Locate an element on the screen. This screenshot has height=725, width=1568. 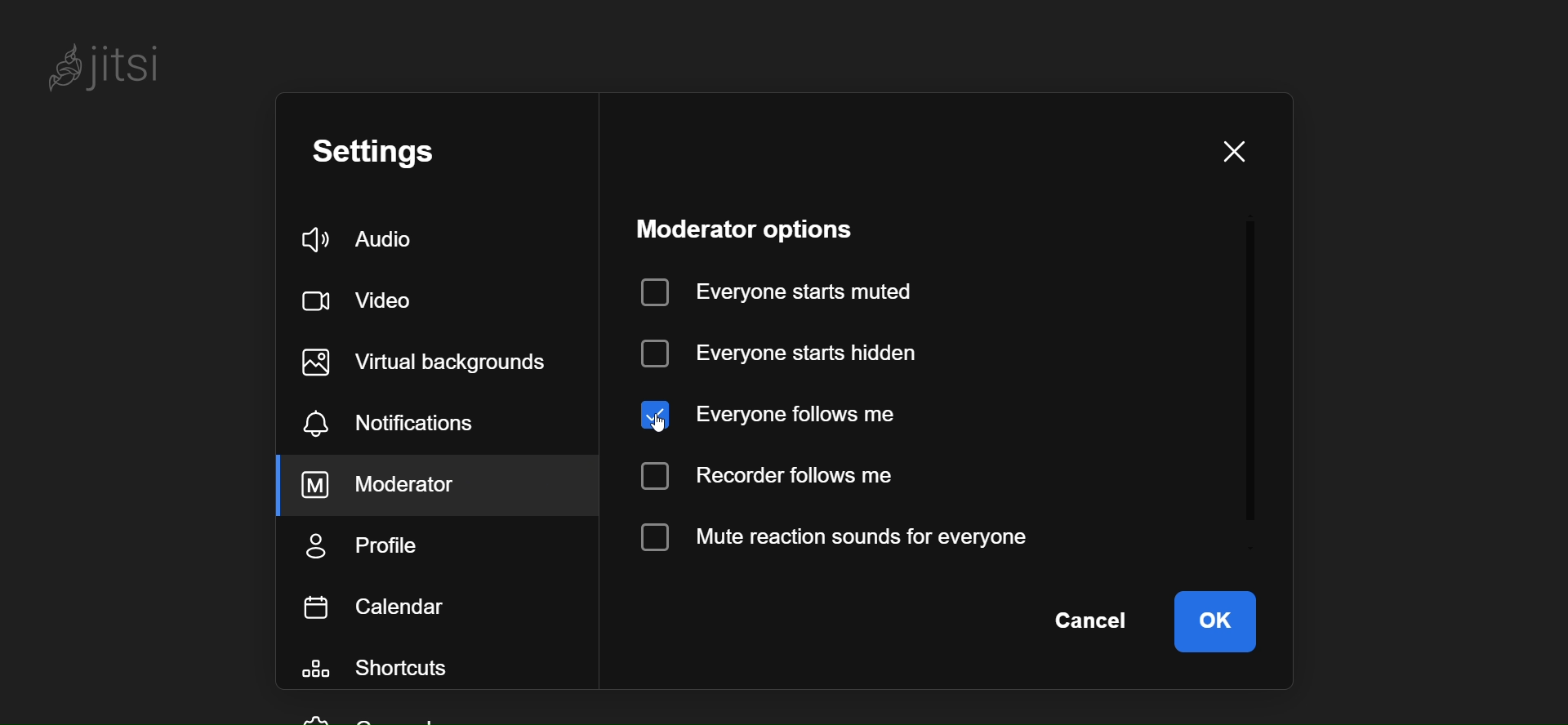
moderator is located at coordinates (403, 485).